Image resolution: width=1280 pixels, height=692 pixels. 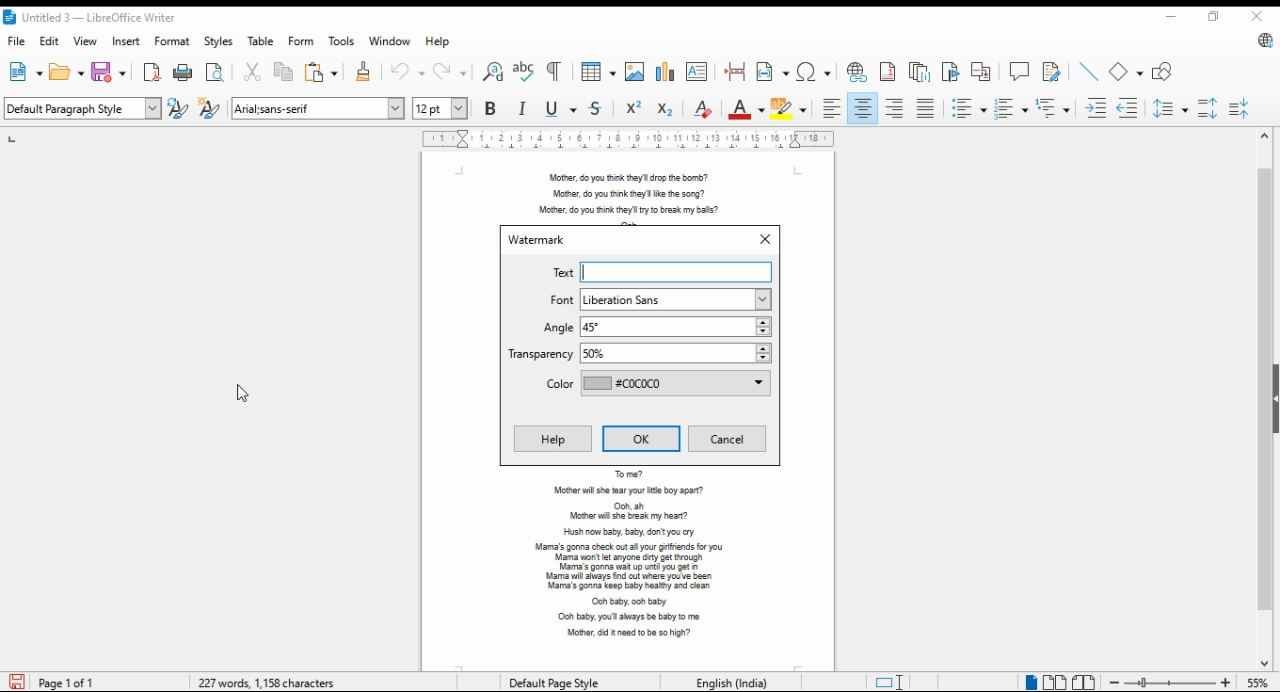 I want to click on text, so click(x=658, y=273).